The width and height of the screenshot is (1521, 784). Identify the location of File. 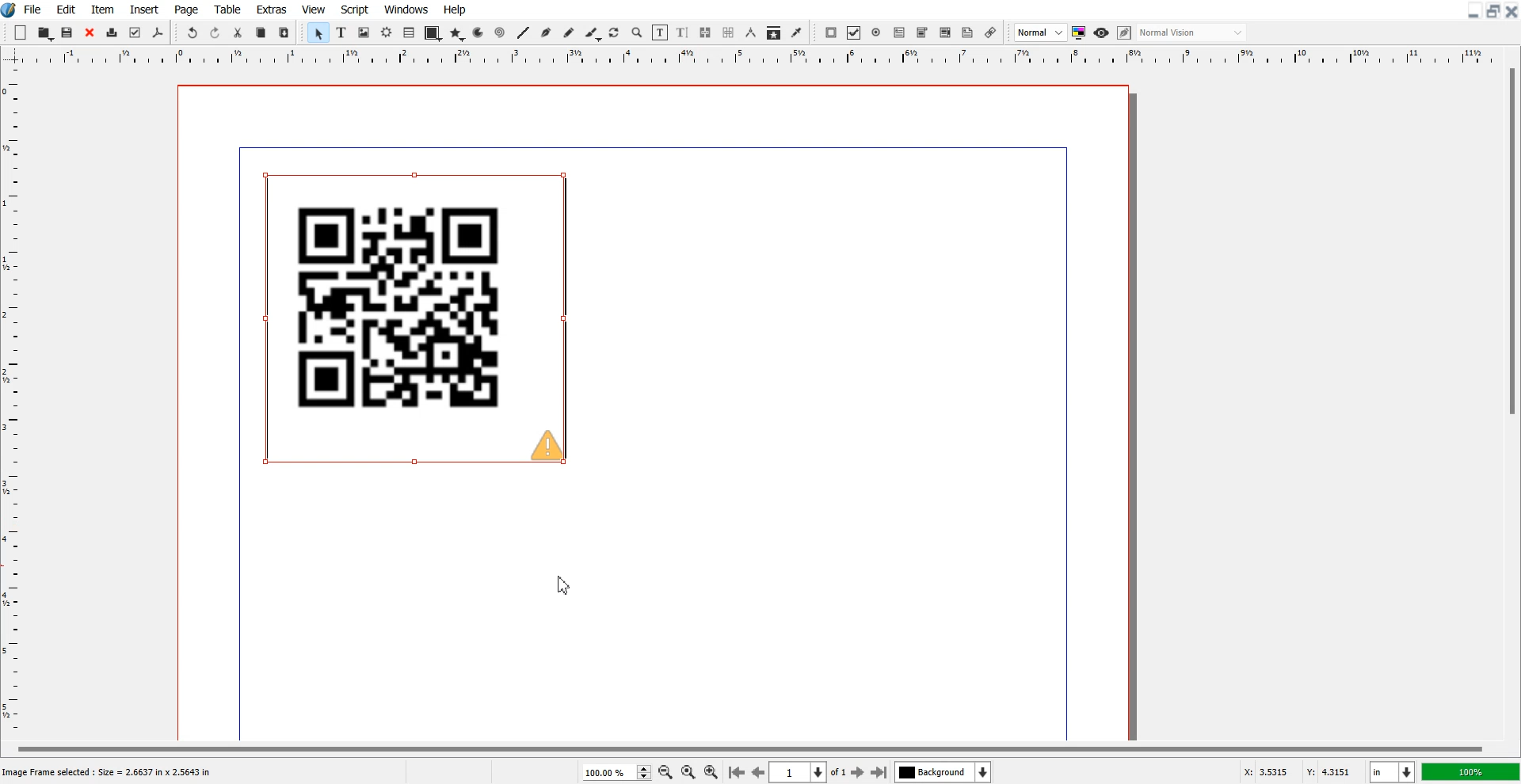
(33, 9).